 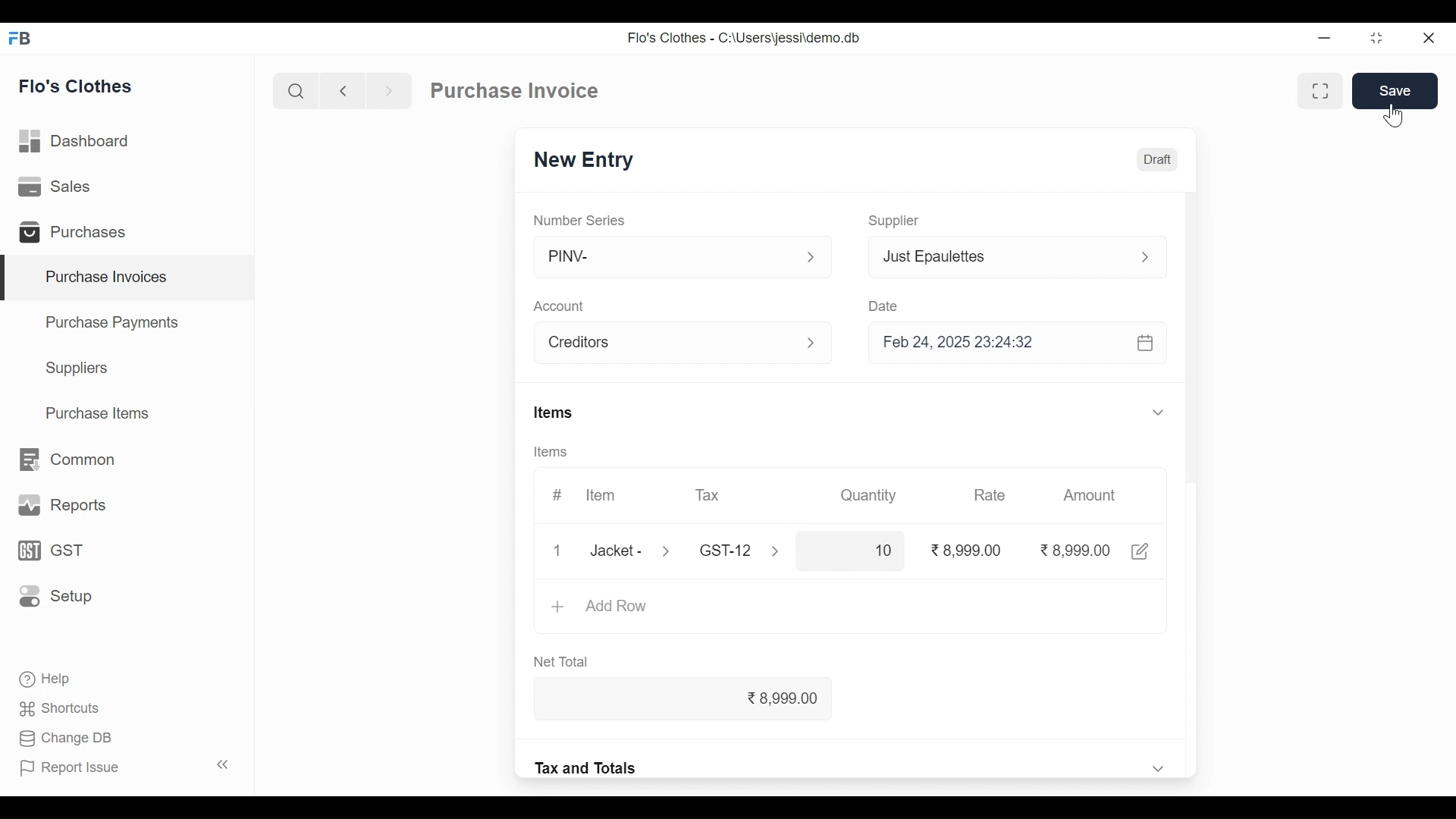 I want to click on Sales, so click(x=61, y=188).